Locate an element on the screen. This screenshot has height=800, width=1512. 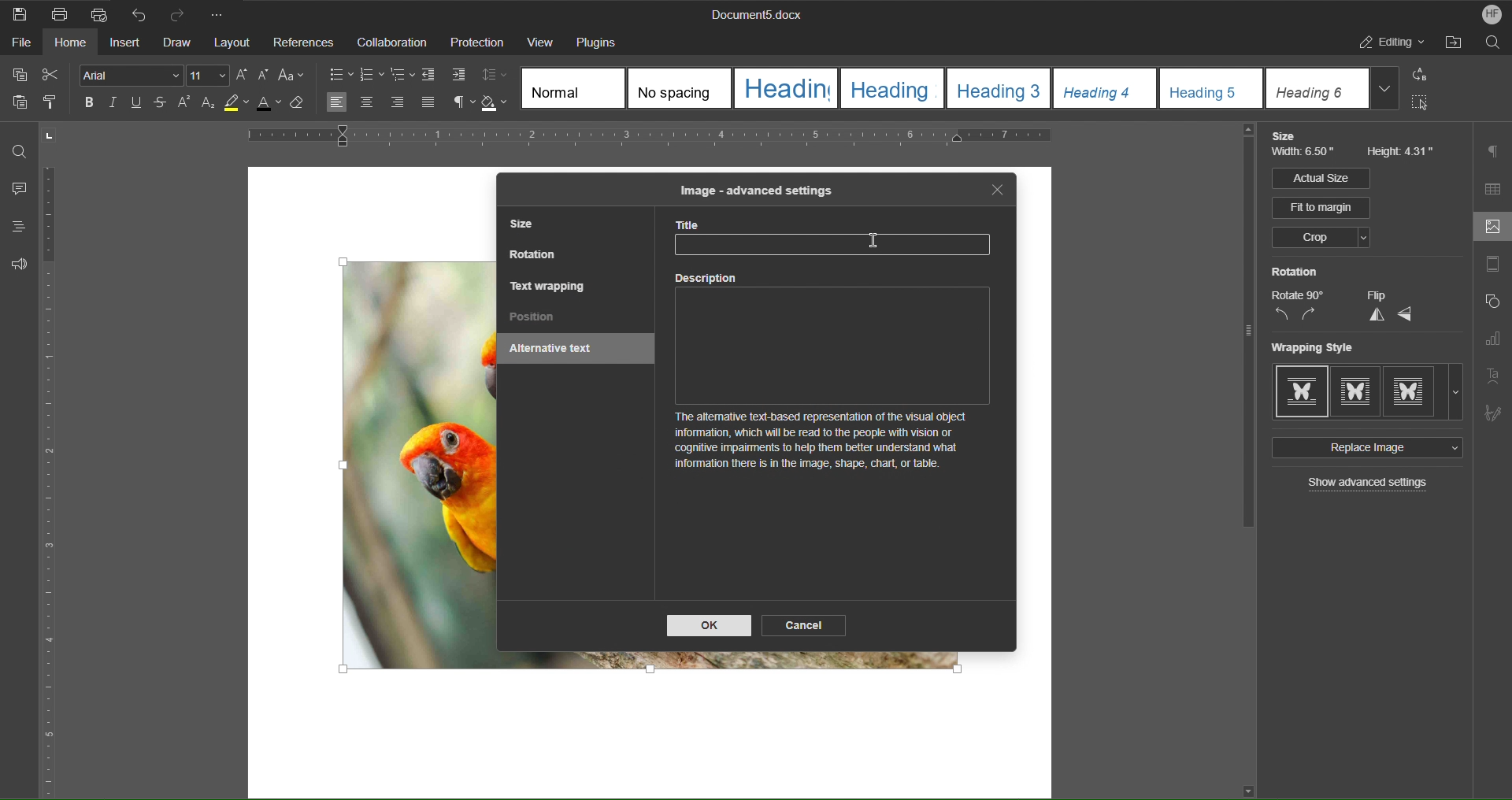
Increase Size is located at coordinates (244, 75).